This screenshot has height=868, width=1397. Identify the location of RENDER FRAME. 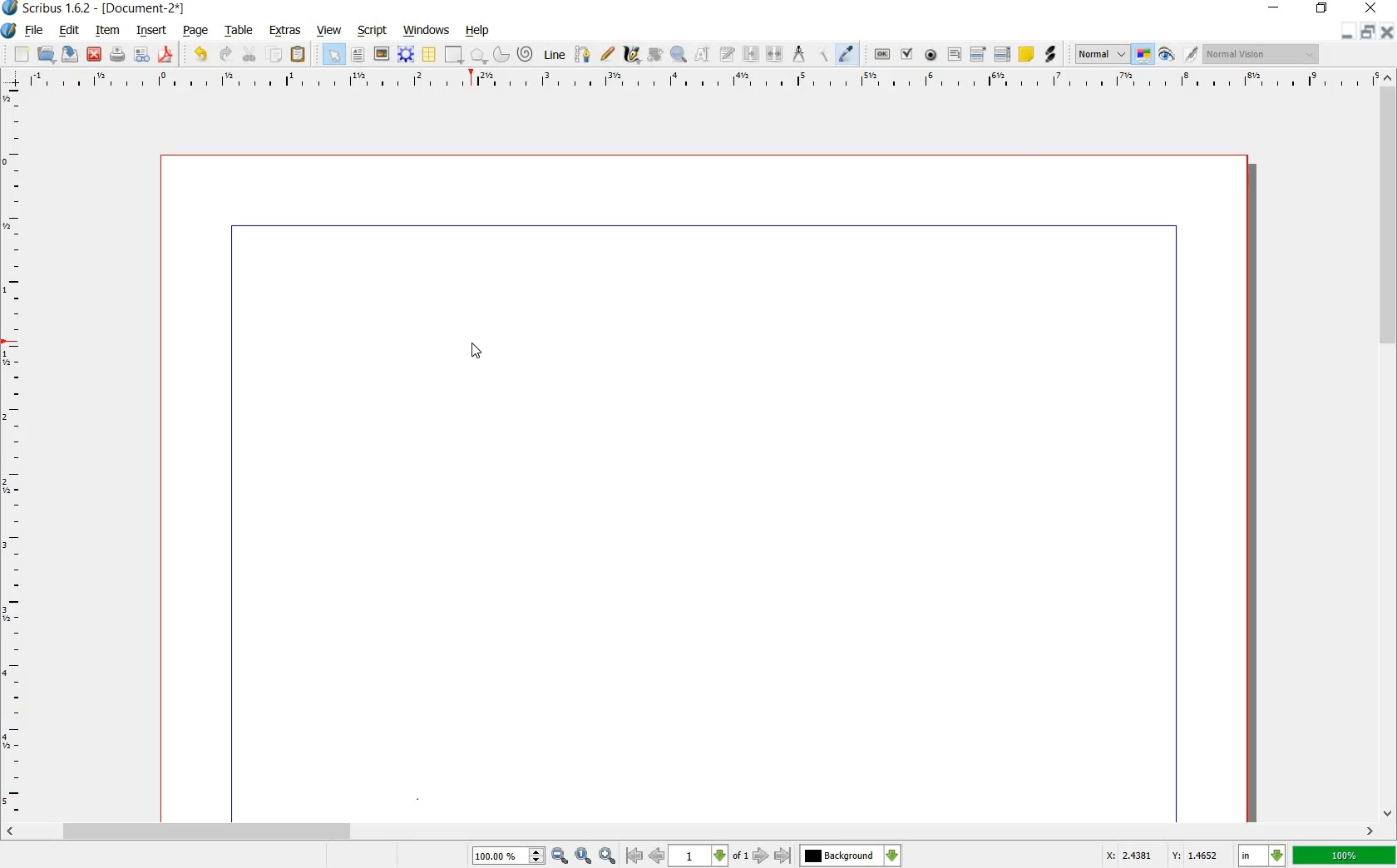
(405, 55).